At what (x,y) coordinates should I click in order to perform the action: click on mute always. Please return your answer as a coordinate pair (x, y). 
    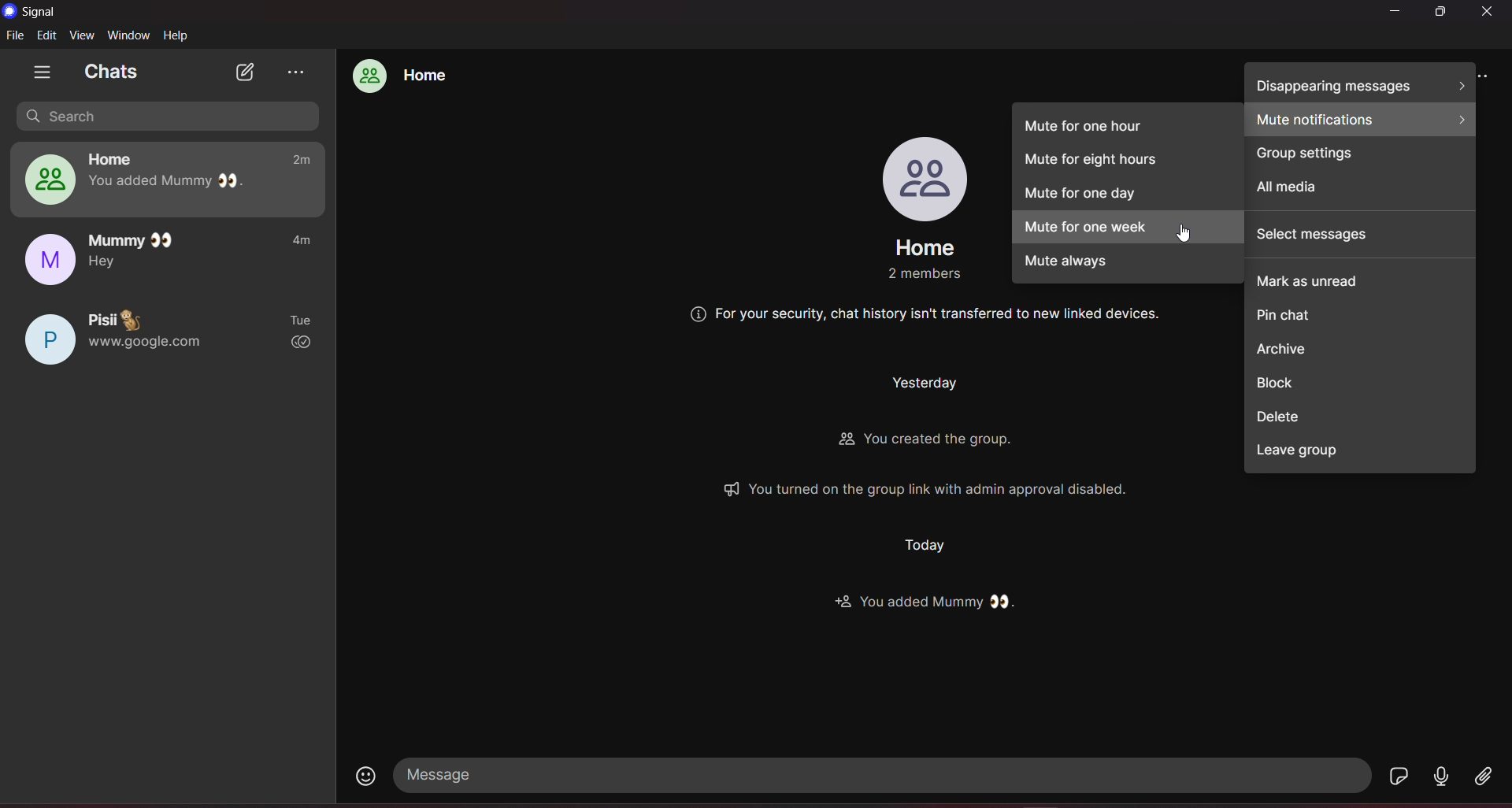
    Looking at the image, I should click on (1127, 266).